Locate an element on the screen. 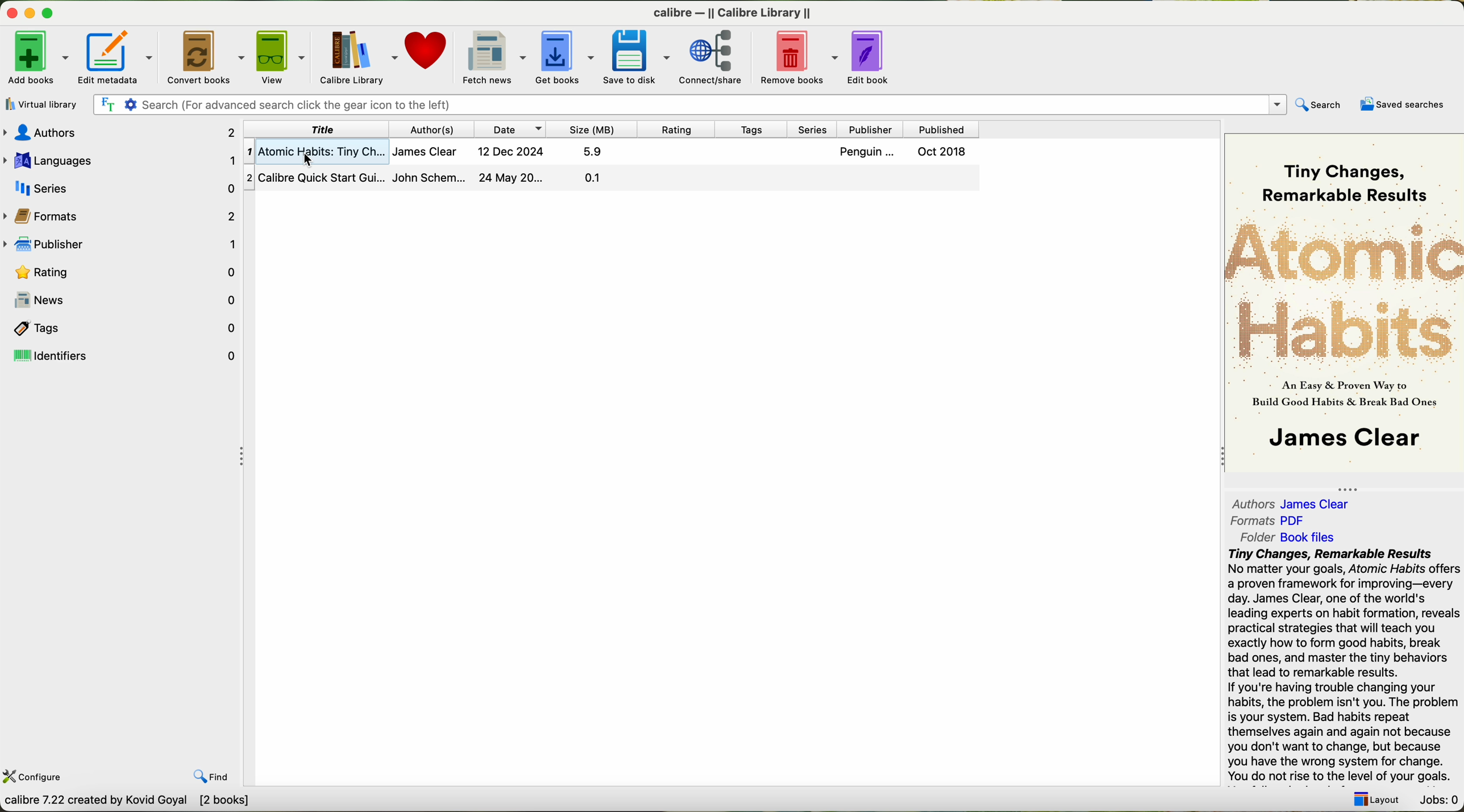  data is located at coordinates (130, 803).